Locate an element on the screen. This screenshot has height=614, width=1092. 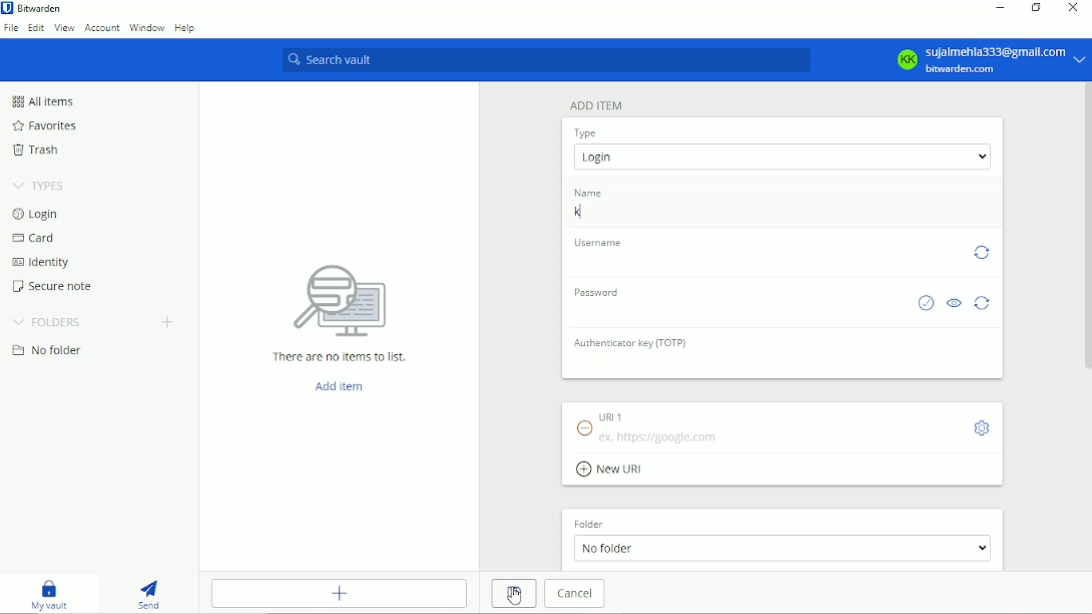
My vault is located at coordinates (49, 594).